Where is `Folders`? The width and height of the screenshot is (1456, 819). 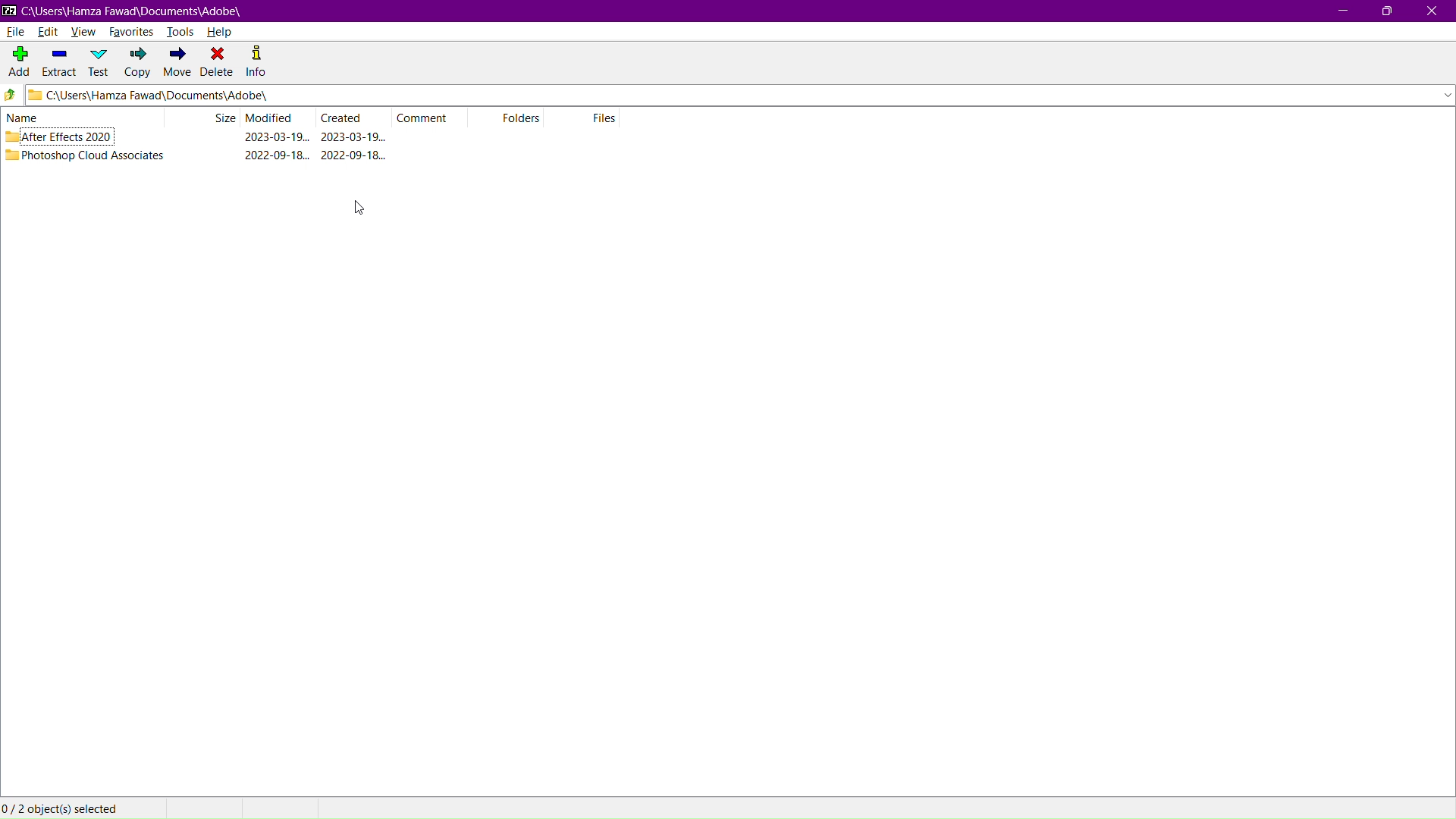 Folders is located at coordinates (513, 119).